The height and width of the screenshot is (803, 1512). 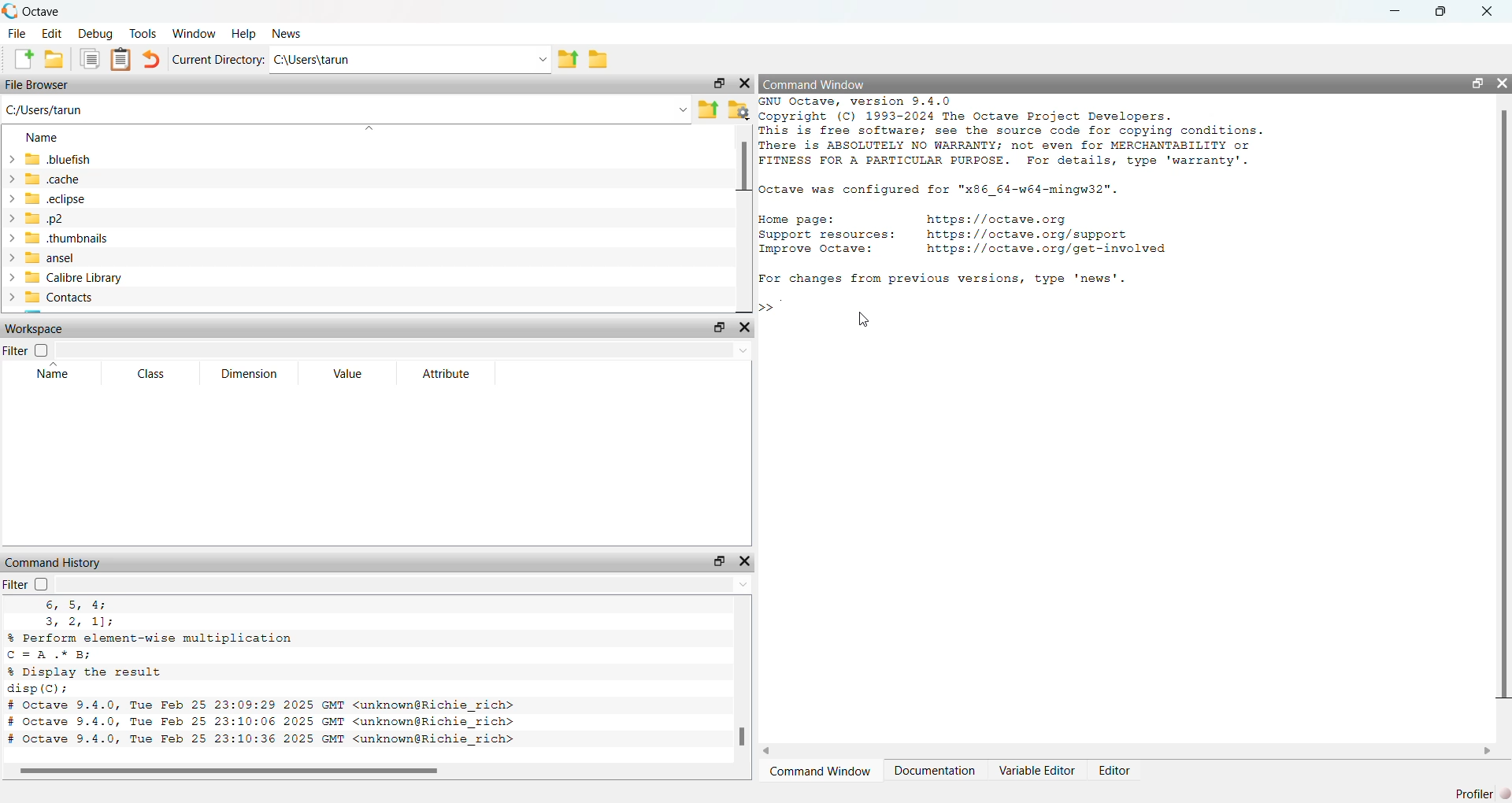 I want to click on Dropdown, so click(x=404, y=584).